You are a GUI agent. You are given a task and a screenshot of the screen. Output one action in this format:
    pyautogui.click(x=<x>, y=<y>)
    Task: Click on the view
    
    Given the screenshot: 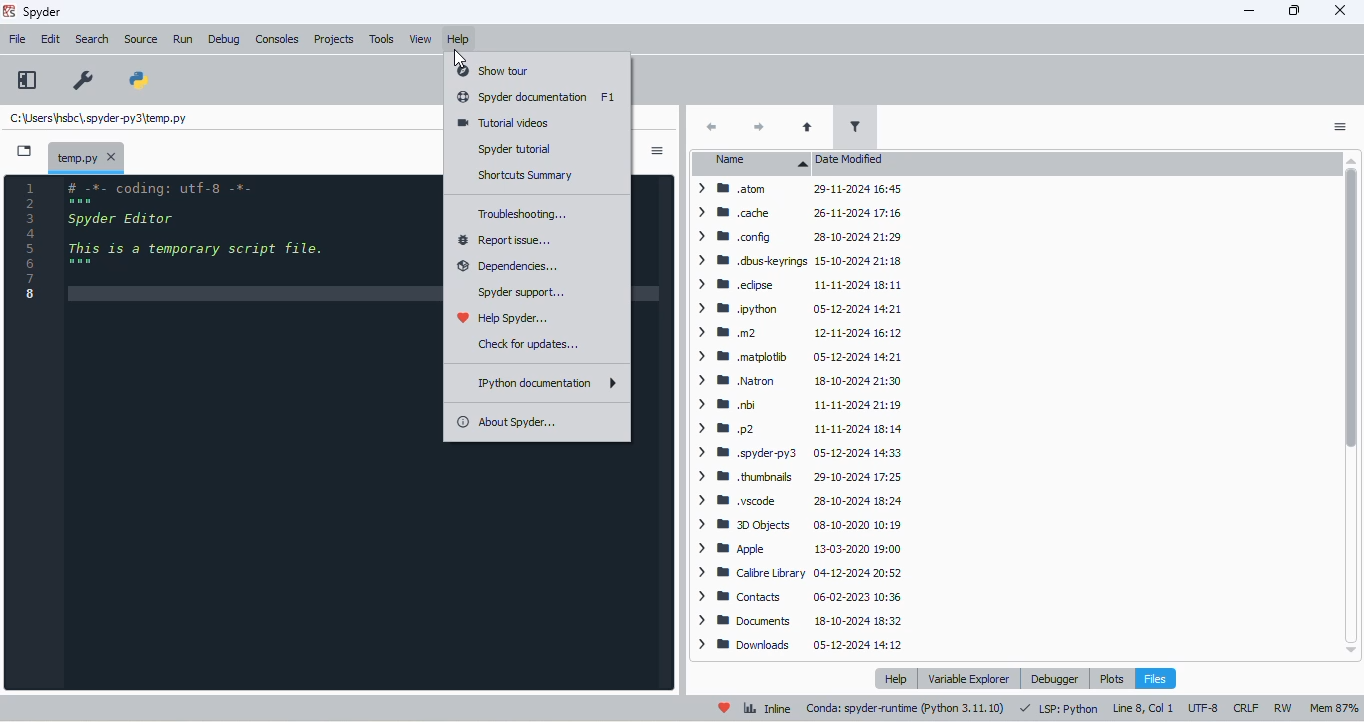 What is the action you would take?
    pyautogui.click(x=421, y=39)
    